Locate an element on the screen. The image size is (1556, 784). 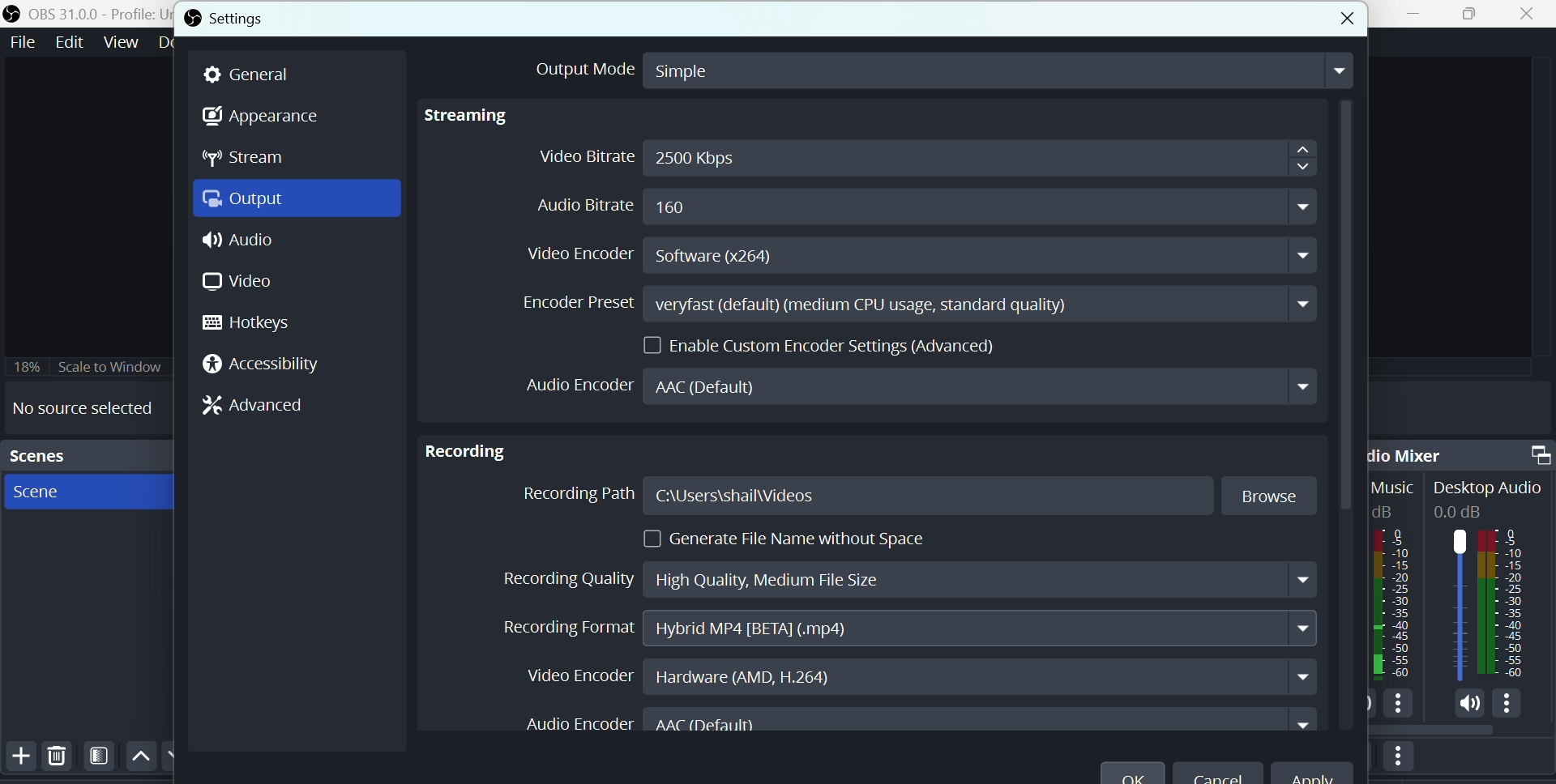
Audio Encoder is located at coordinates (913, 721).